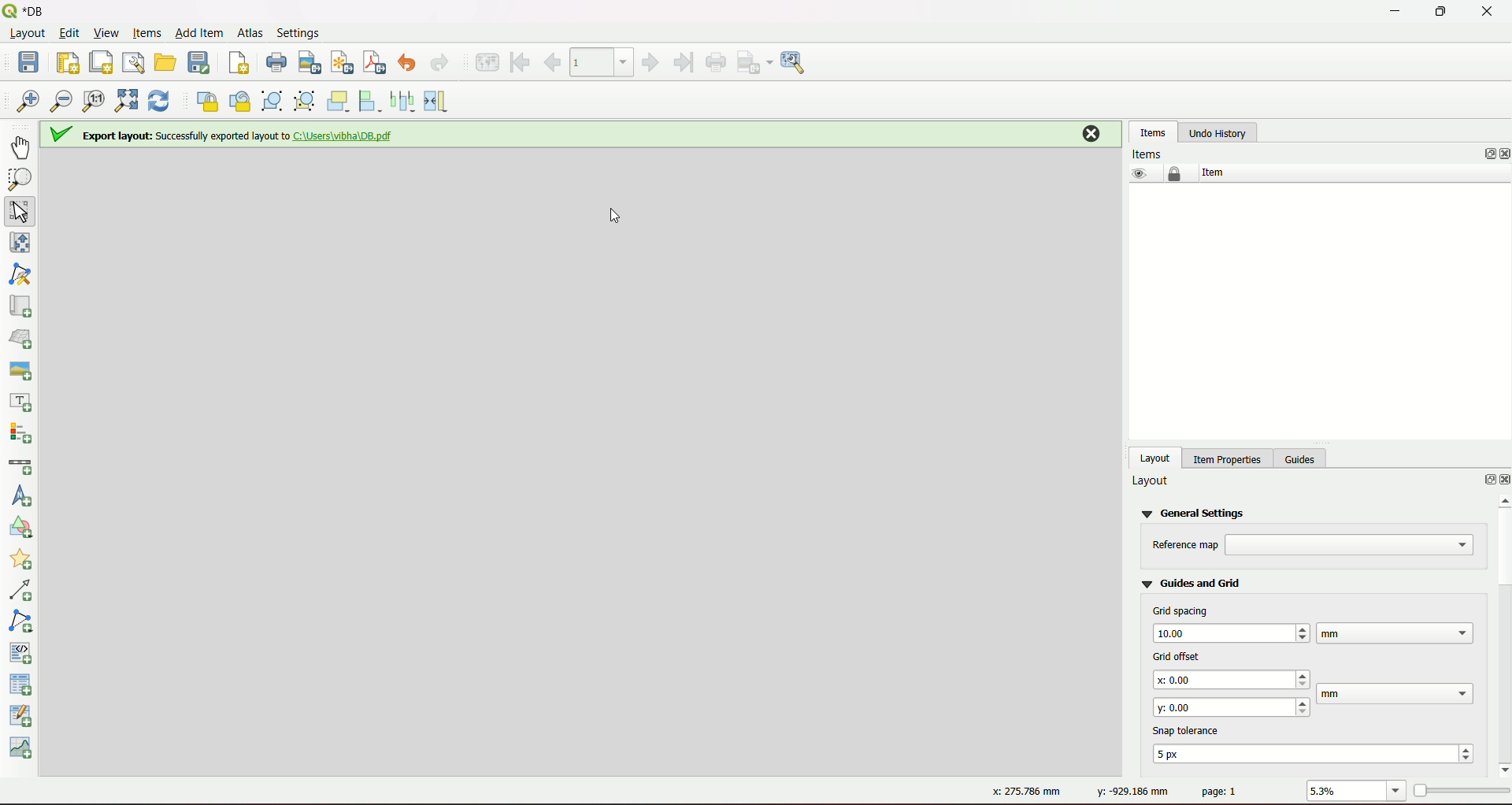 The image size is (1512, 805). I want to click on text box, so click(1397, 694).